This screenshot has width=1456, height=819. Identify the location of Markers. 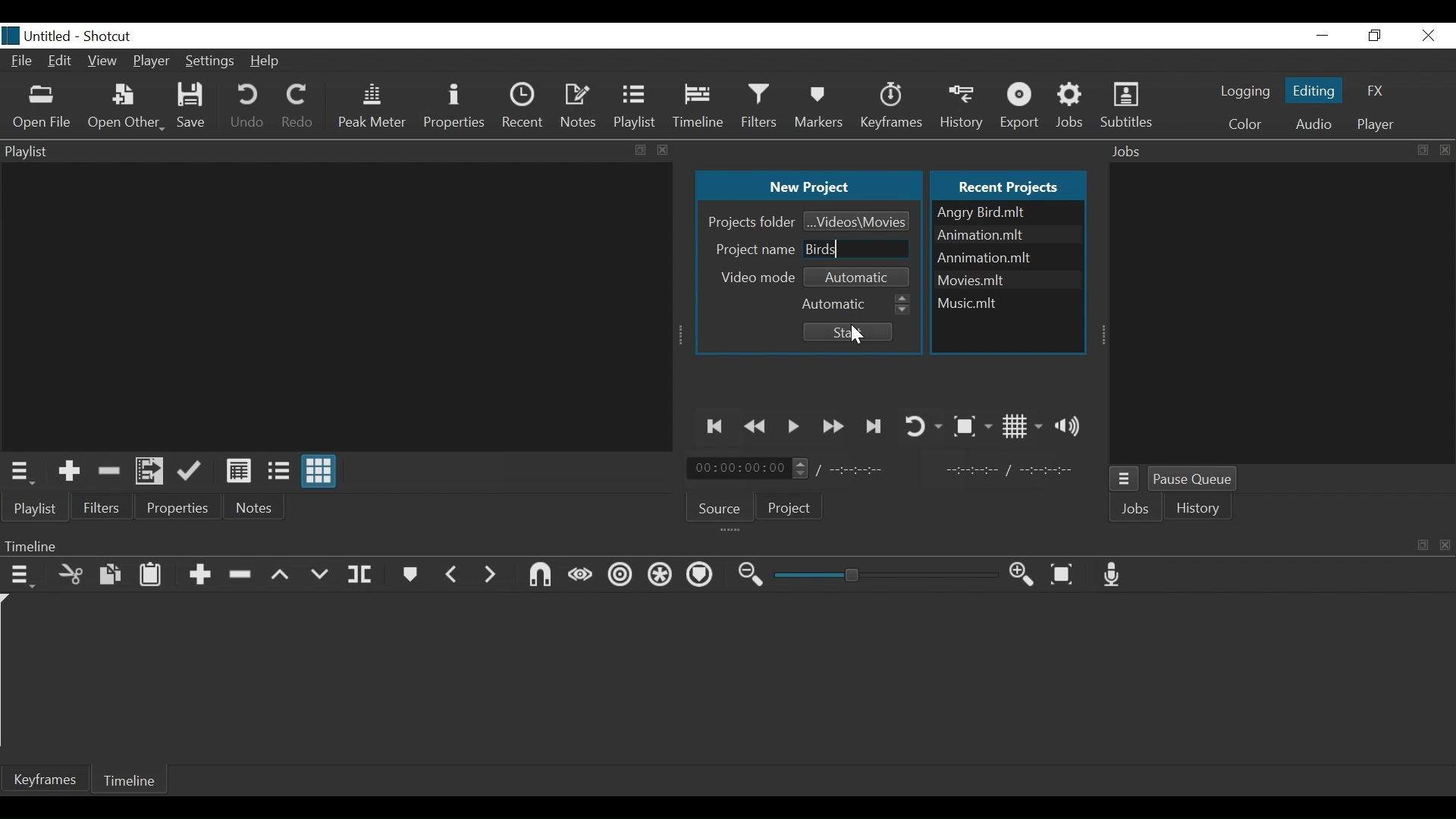
(411, 574).